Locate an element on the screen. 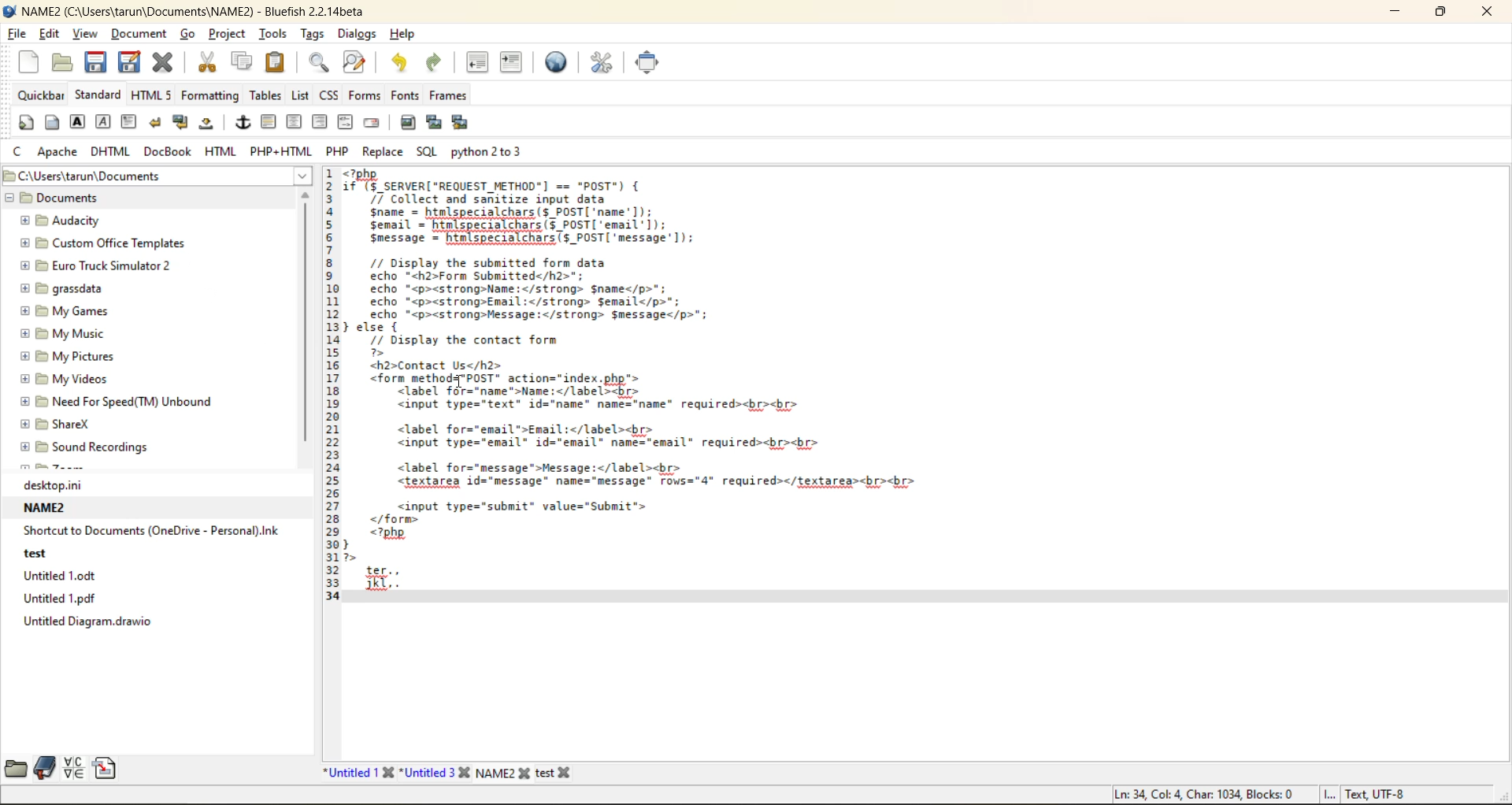 The image size is (1512, 805). charmap is located at coordinates (73, 769).